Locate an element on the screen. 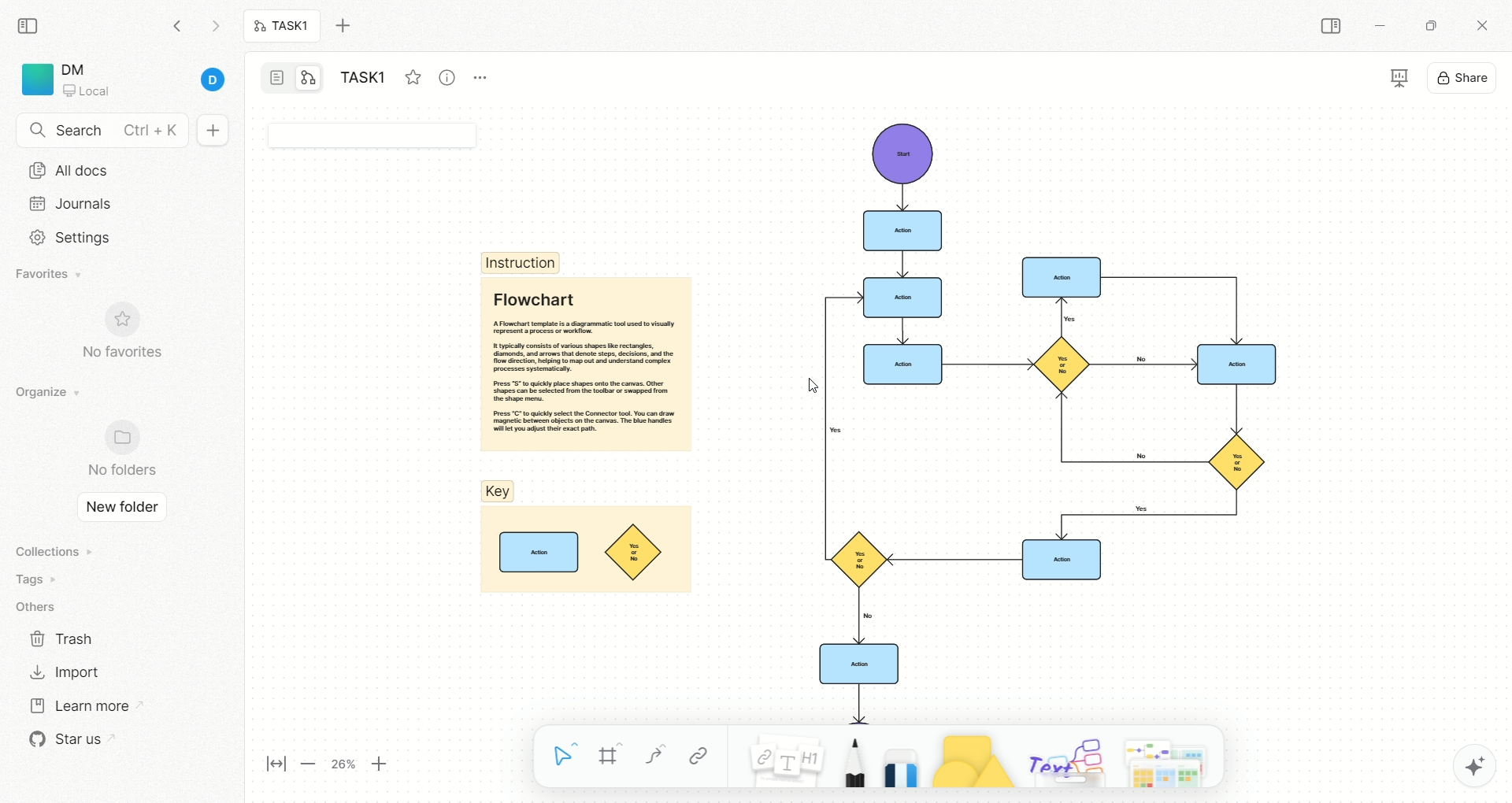 The image size is (1512, 803). search is located at coordinates (102, 131).